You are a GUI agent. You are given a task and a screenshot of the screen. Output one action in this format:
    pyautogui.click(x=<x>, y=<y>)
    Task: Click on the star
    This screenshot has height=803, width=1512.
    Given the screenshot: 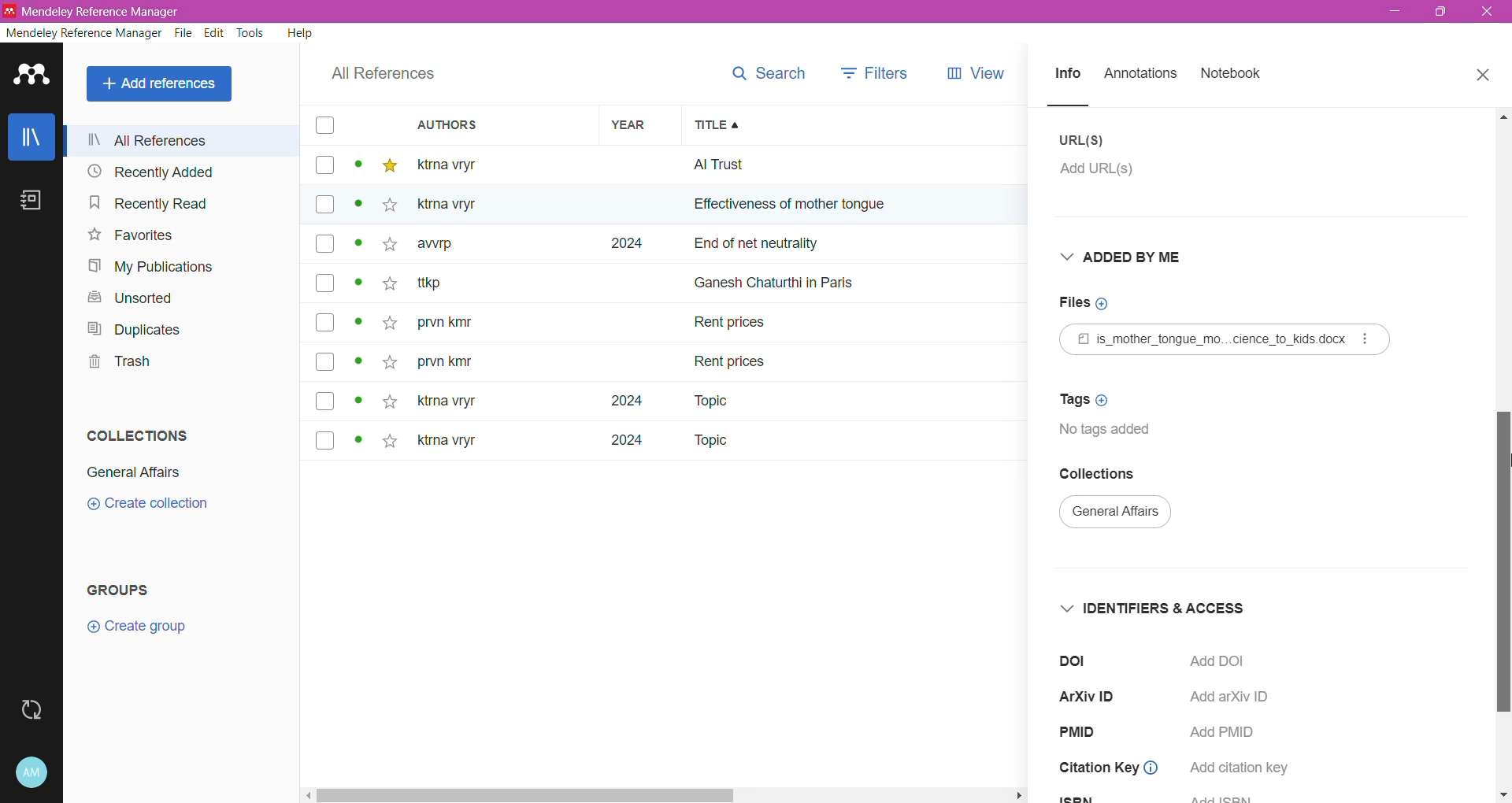 What is the action you would take?
    pyautogui.click(x=387, y=324)
    